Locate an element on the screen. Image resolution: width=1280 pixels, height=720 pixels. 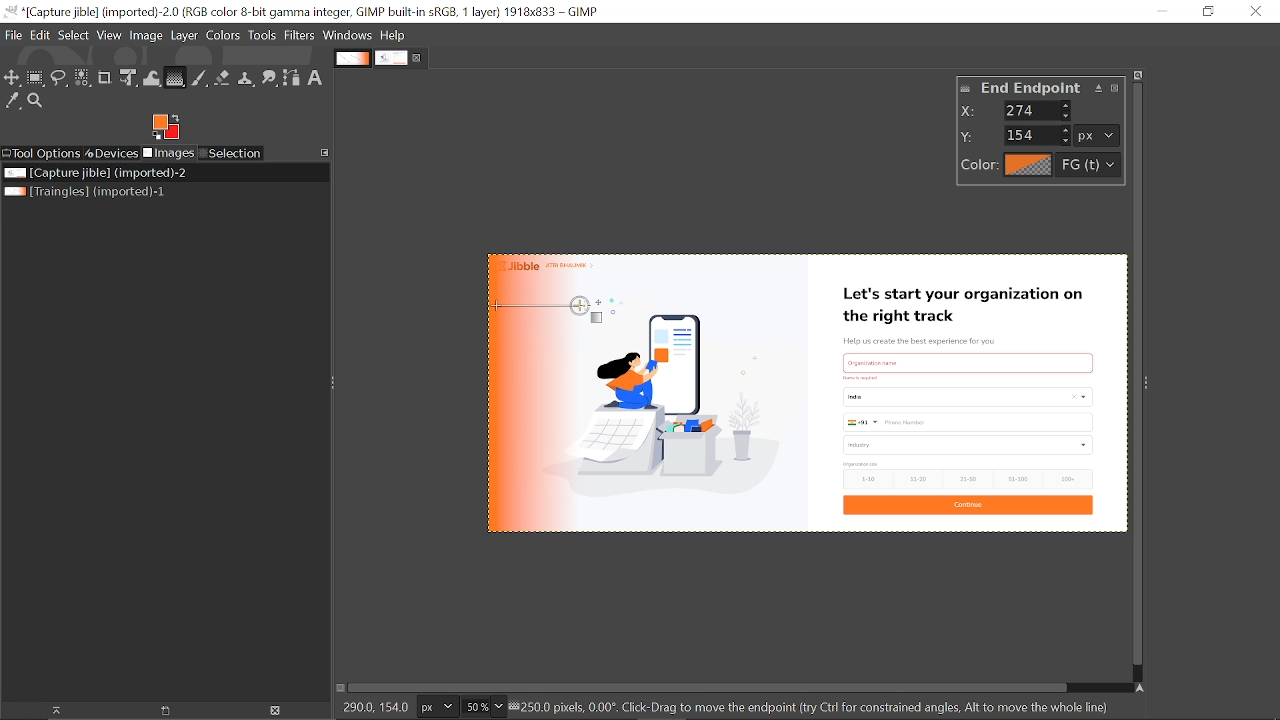
Current window is located at coordinates (302, 11).